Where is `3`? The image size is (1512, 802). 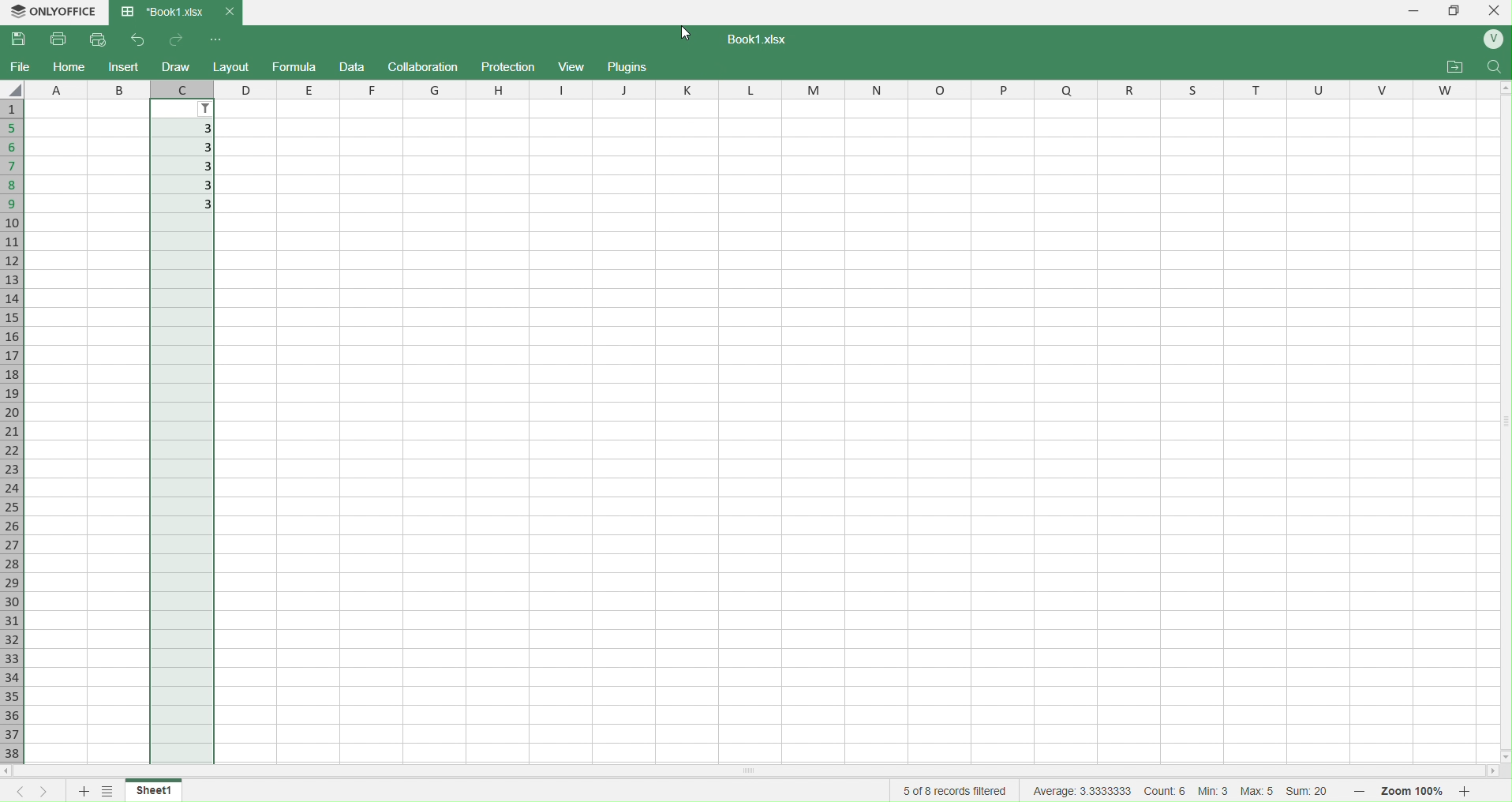 3 is located at coordinates (185, 129).